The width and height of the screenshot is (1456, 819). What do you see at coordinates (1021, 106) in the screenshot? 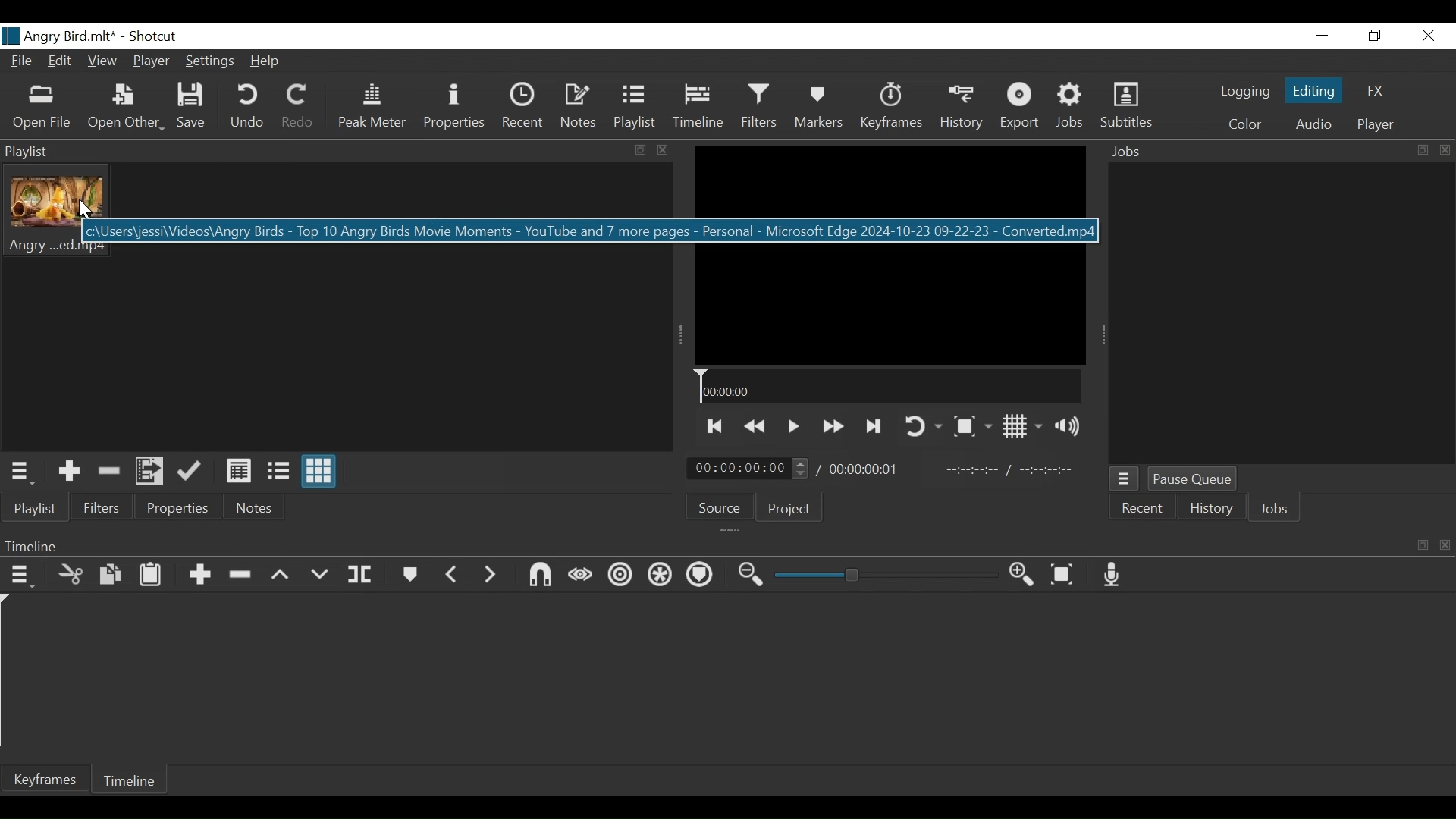
I see `Export` at bounding box center [1021, 106].